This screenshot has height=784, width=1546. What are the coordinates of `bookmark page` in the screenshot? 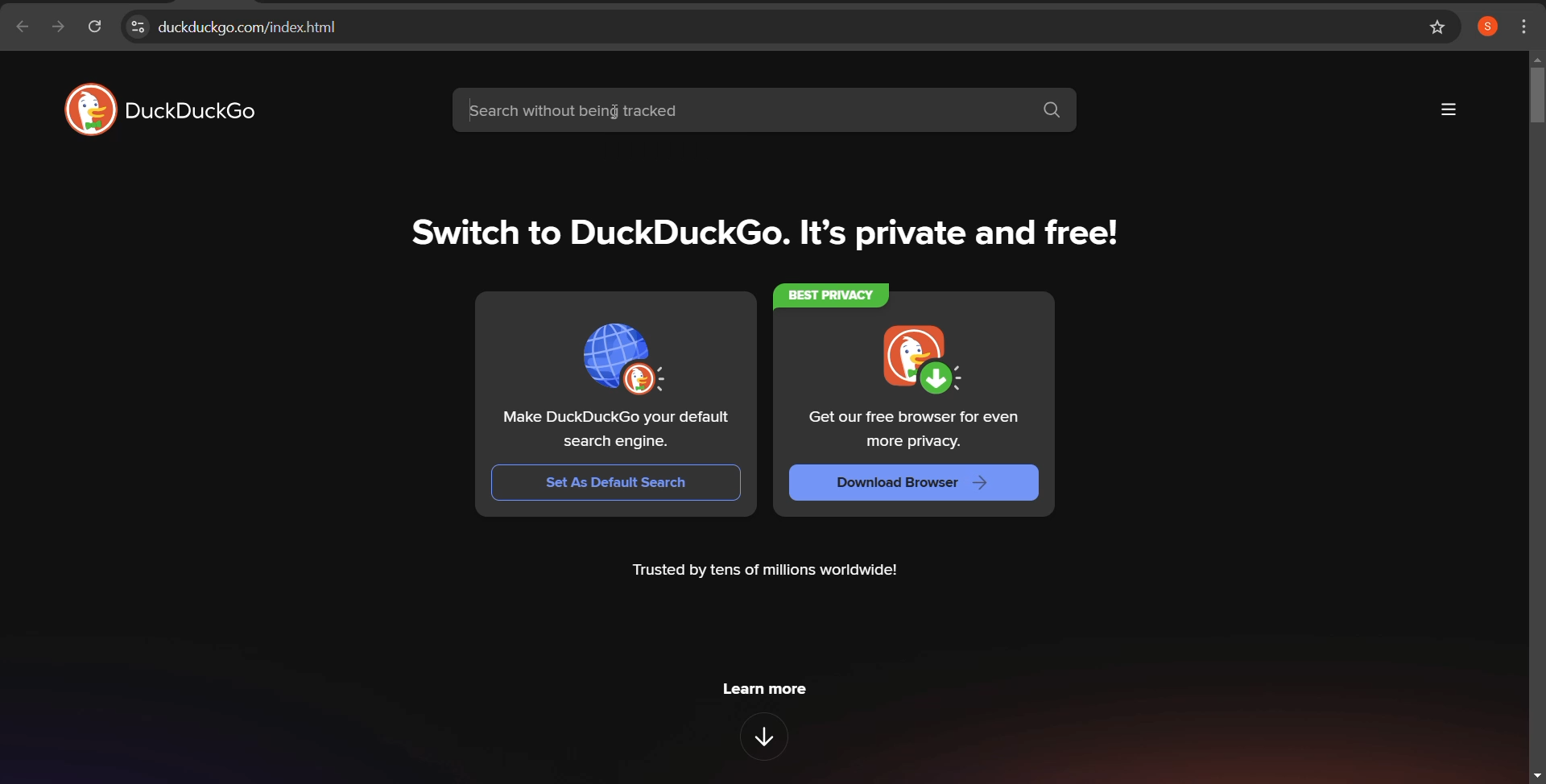 It's located at (1439, 27).